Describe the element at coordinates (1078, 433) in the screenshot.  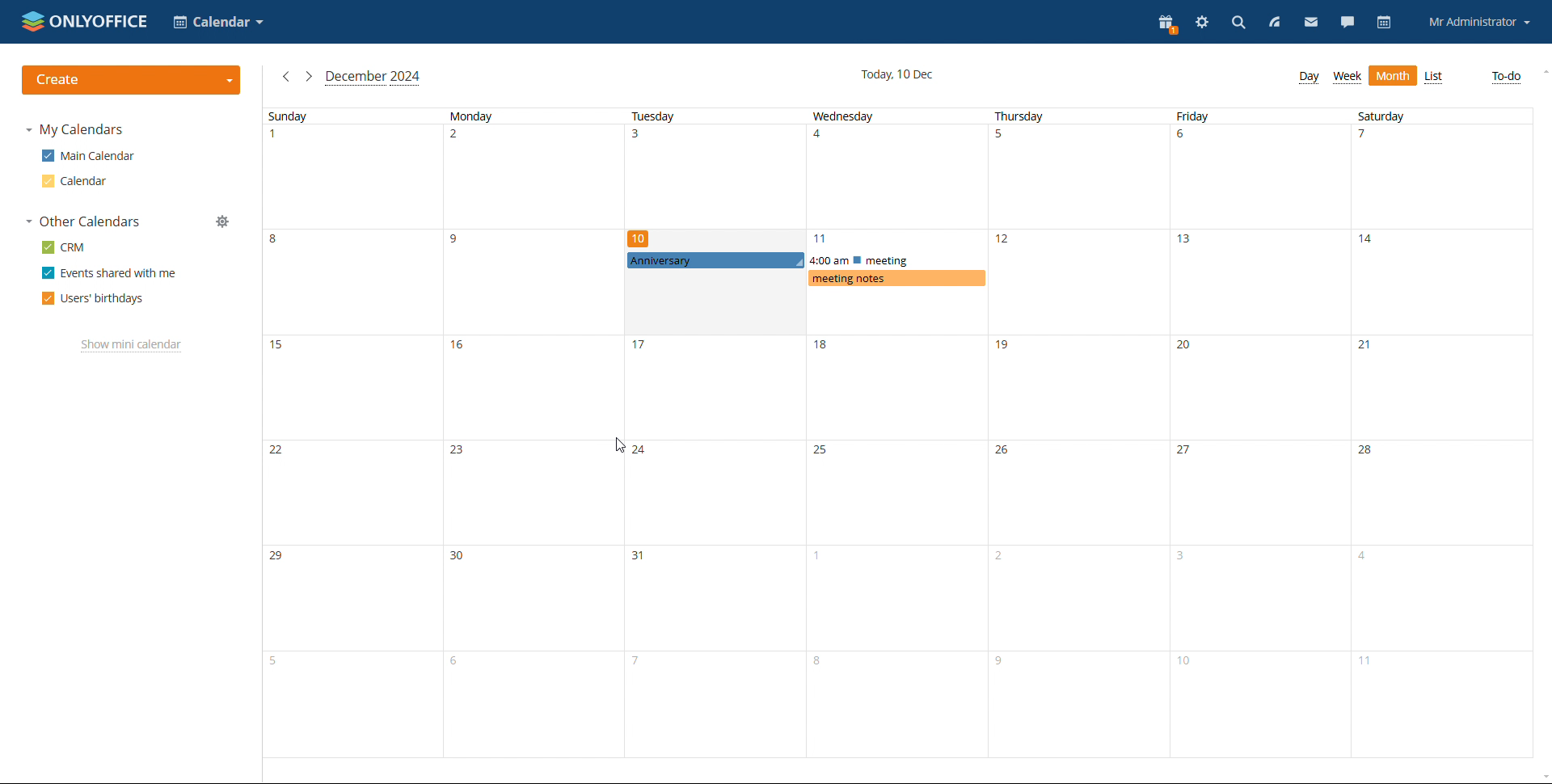
I see `thursday` at that location.